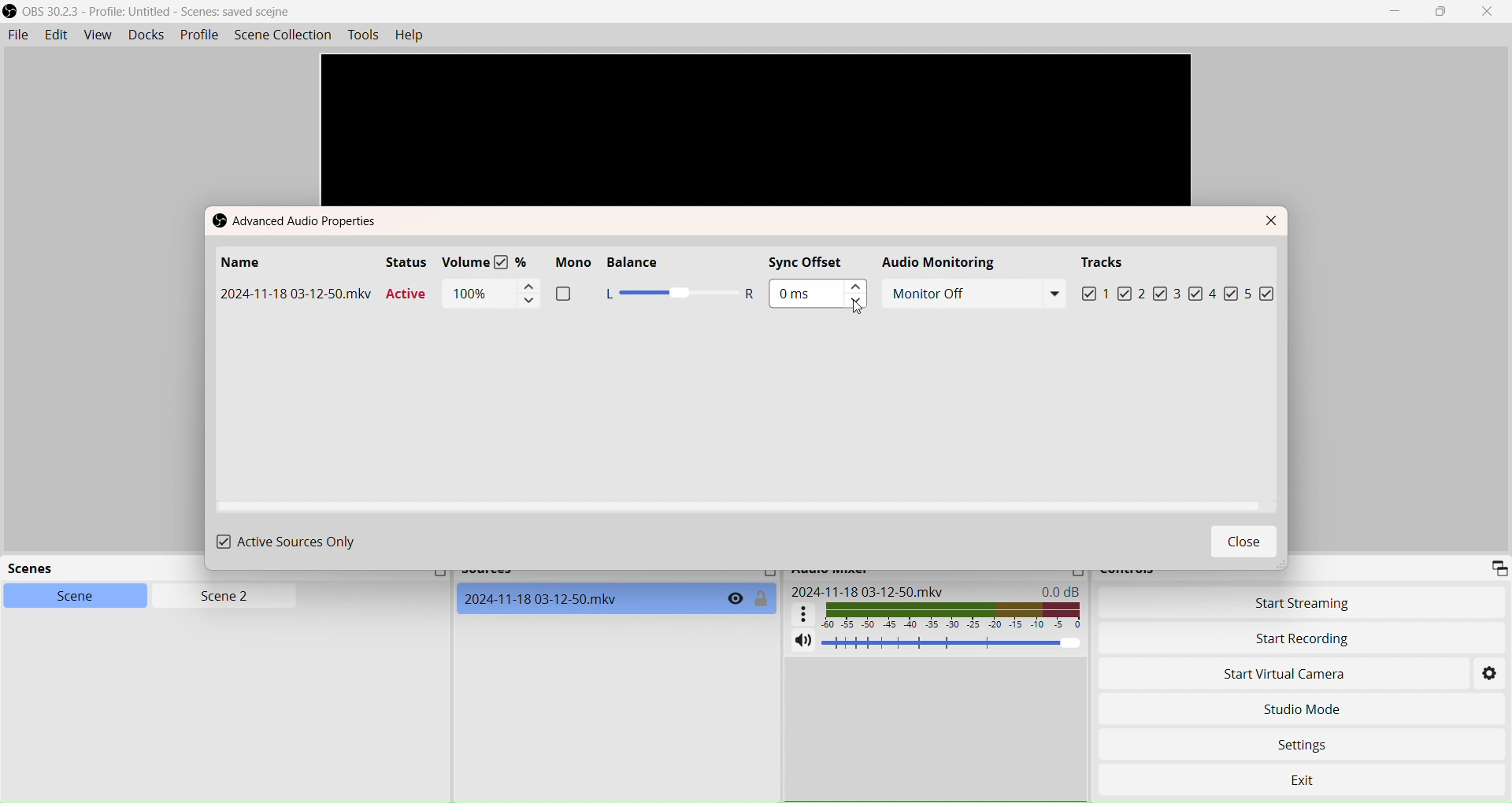 Image resolution: width=1512 pixels, height=803 pixels. I want to click on Tools, so click(365, 35).